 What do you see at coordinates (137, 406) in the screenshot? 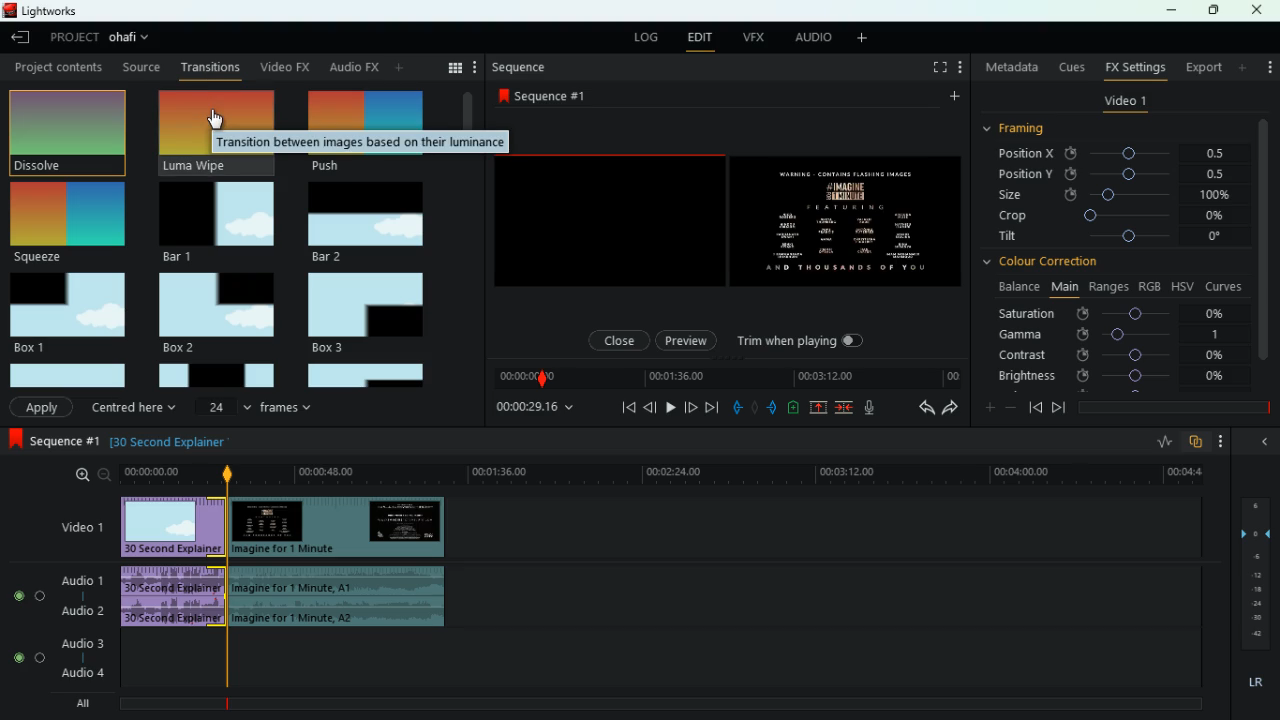
I see `centered here` at bounding box center [137, 406].